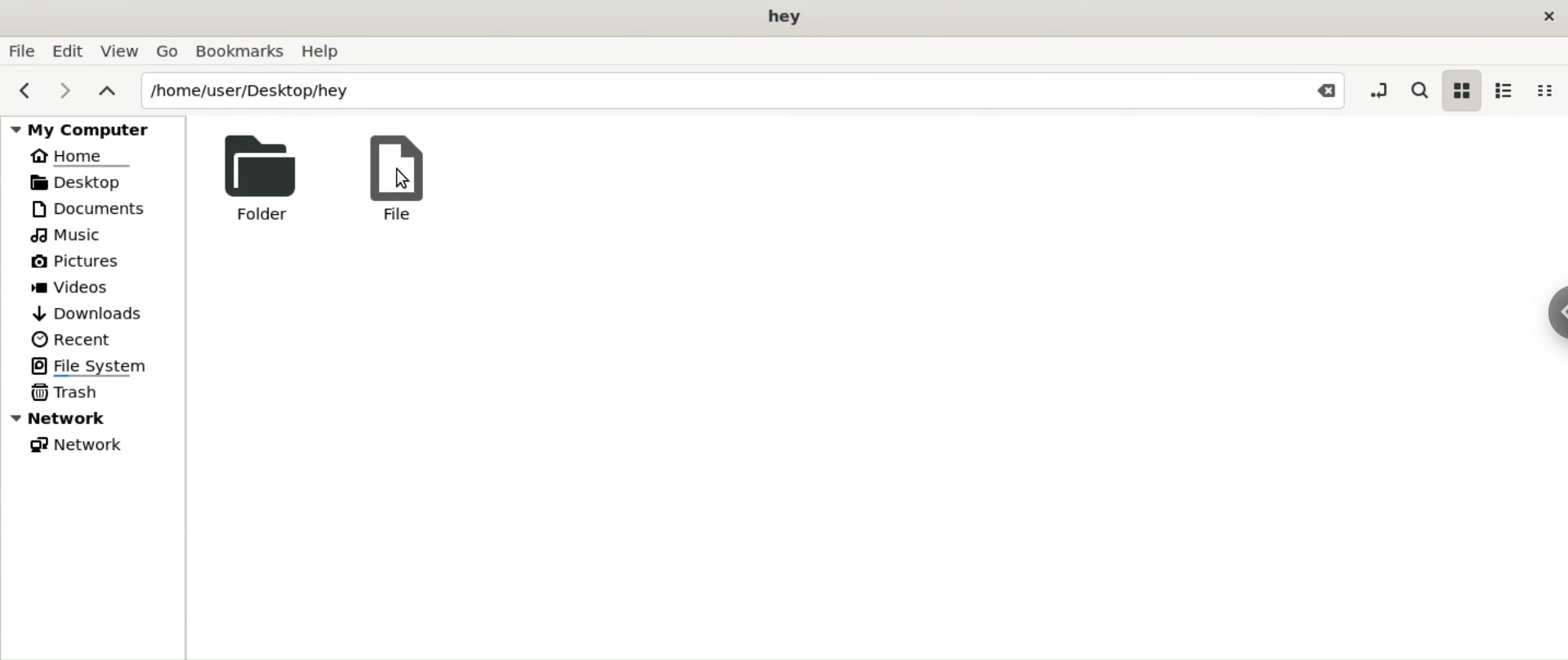 The height and width of the screenshot is (660, 1568). Describe the element at coordinates (1419, 90) in the screenshot. I see `search` at that location.